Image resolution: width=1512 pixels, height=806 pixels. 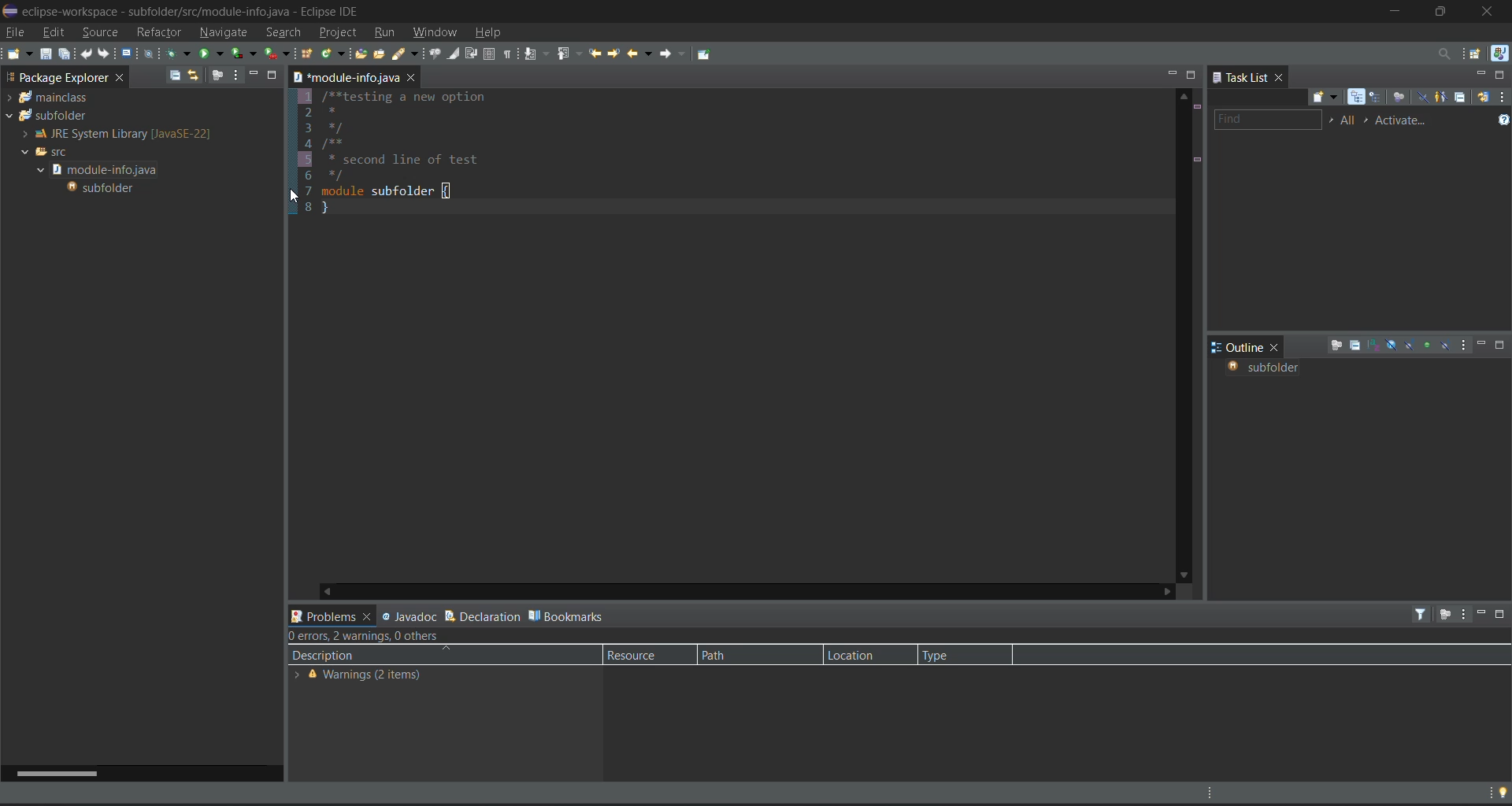 What do you see at coordinates (1282, 79) in the screenshot?
I see `close` at bounding box center [1282, 79].